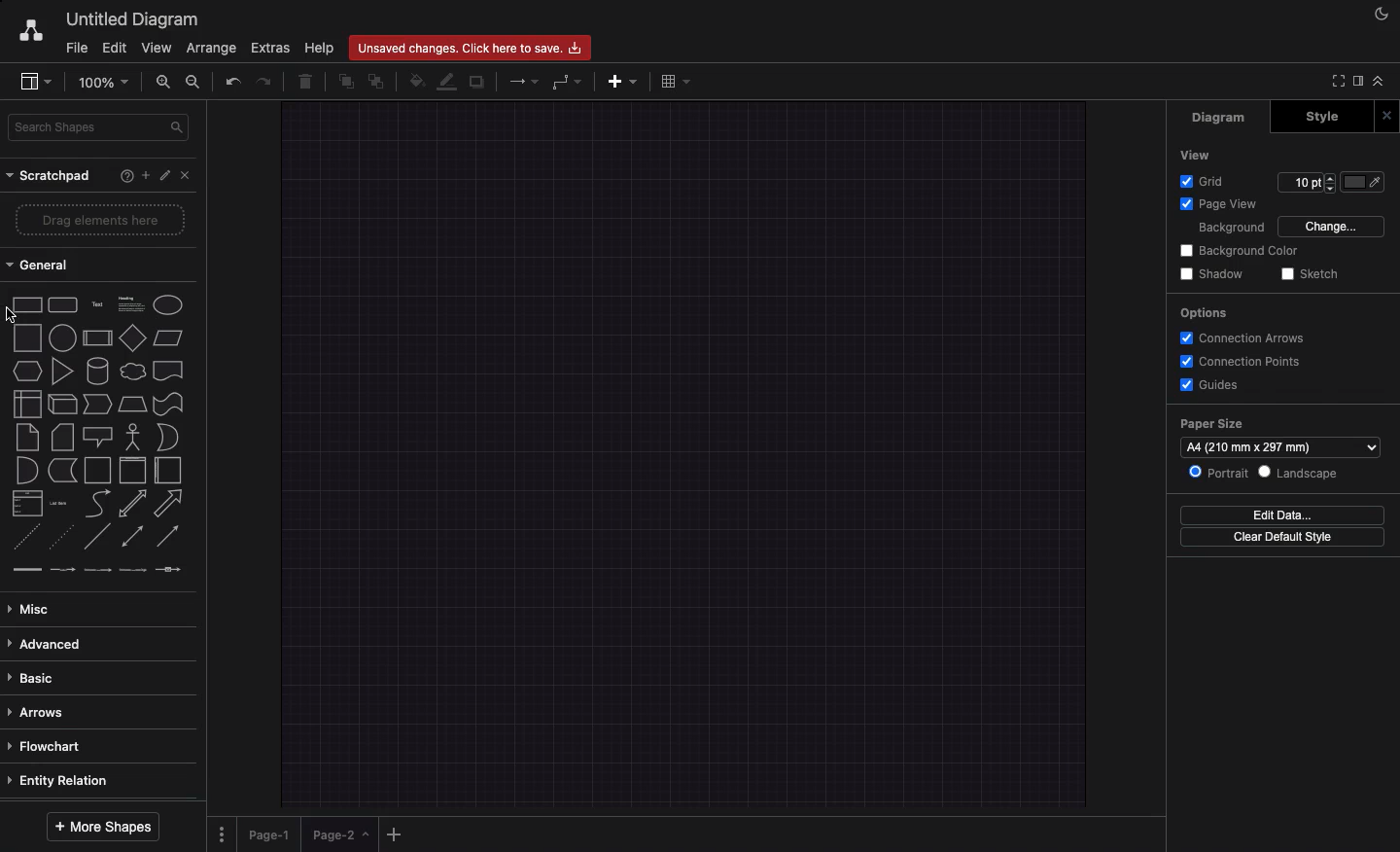  What do you see at coordinates (518, 80) in the screenshot?
I see `Arrows` at bounding box center [518, 80].